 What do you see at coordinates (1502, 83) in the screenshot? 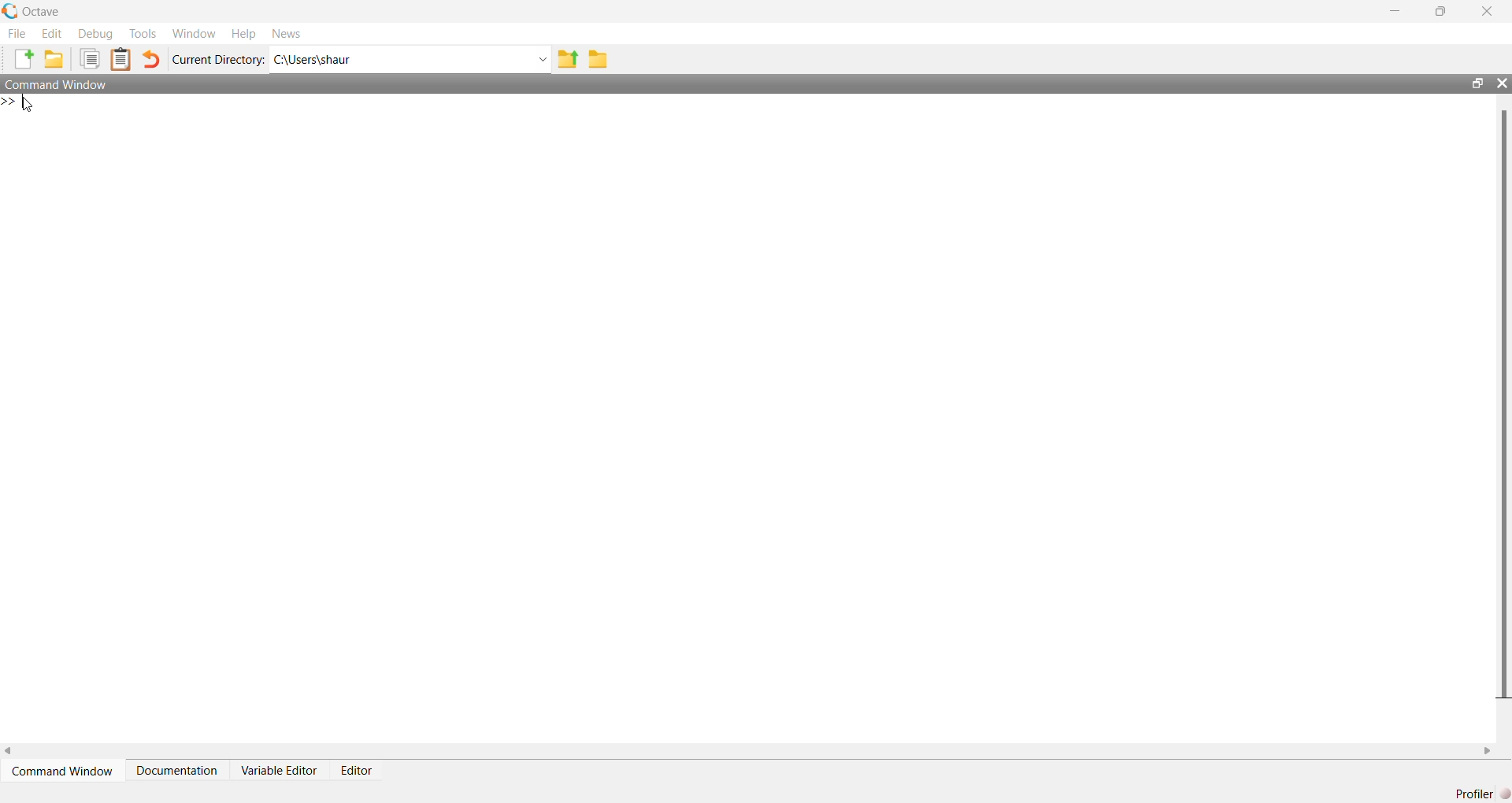
I see `close` at bounding box center [1502, 83].